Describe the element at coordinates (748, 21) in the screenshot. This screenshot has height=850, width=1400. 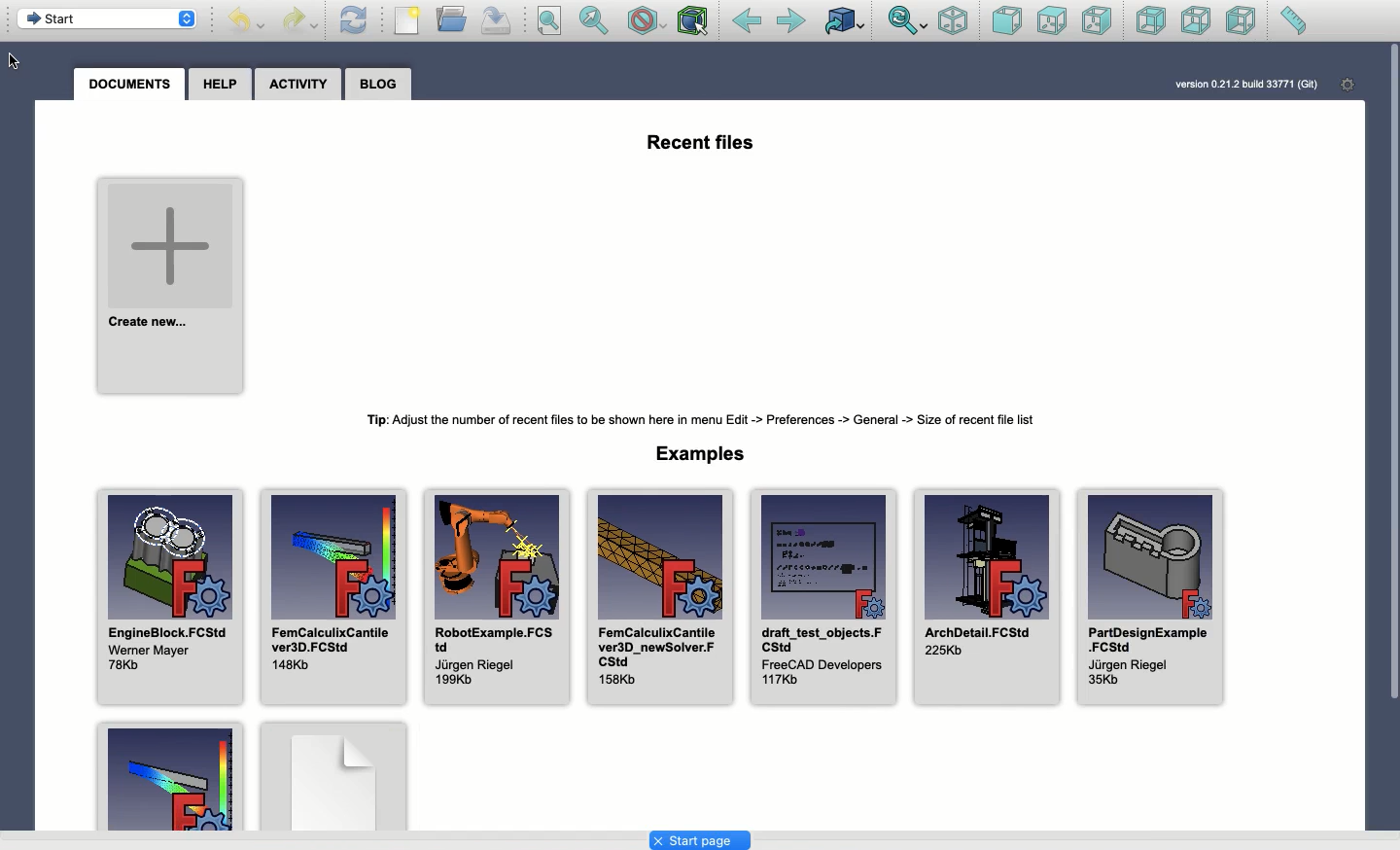
I see `Back` at that location.